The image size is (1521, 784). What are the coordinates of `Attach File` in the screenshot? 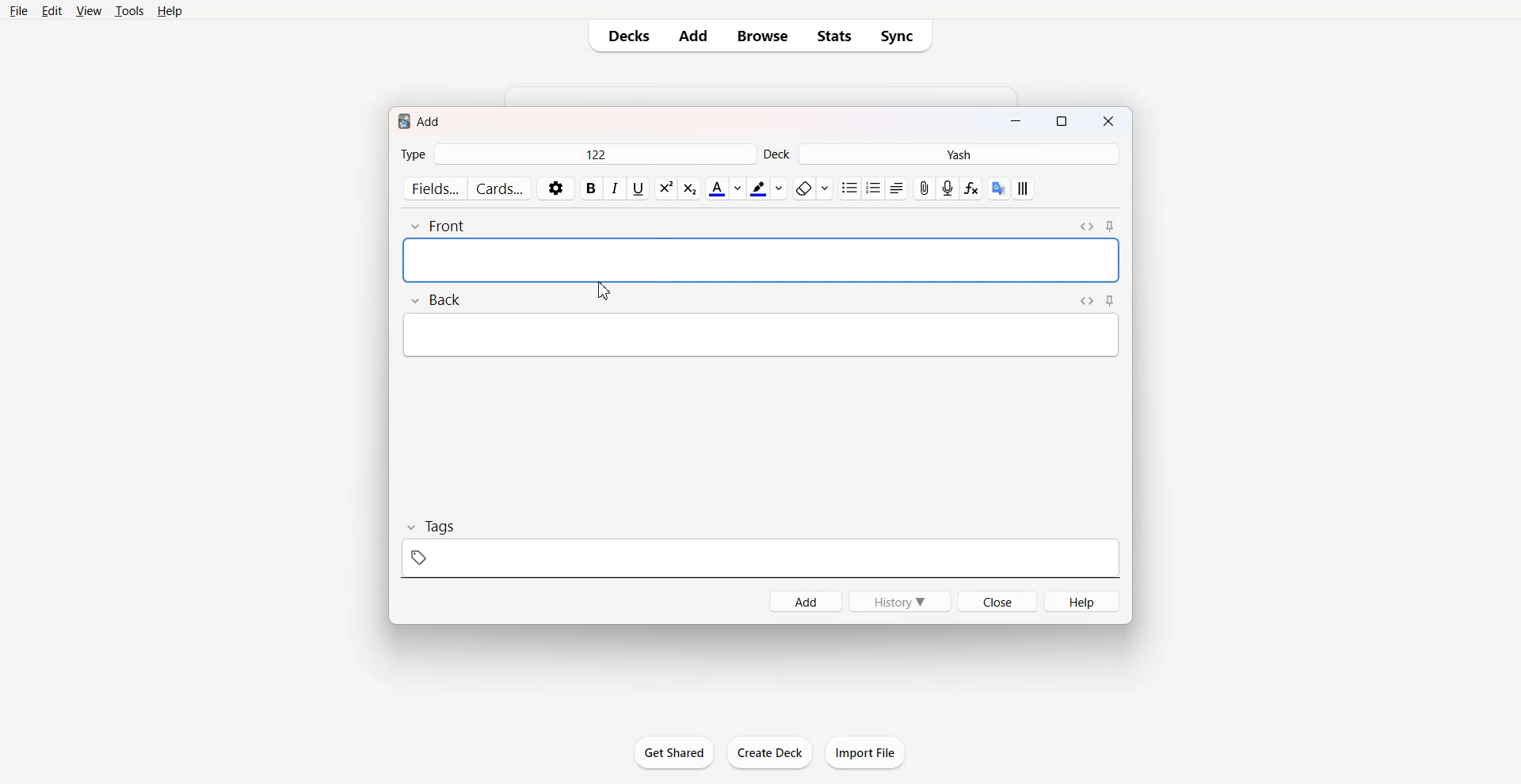 It's located at (924, 188).